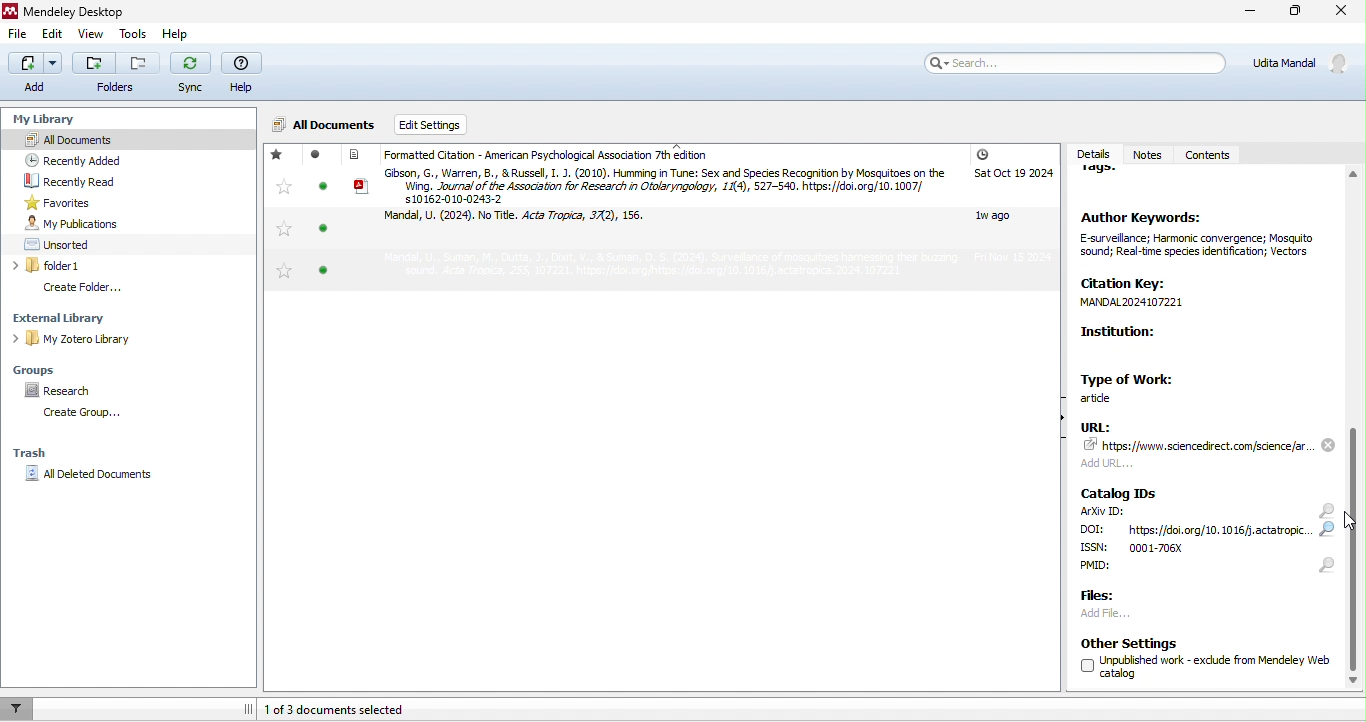 The width and height of the screenshot is (1366, 722). Describe the element at coordinates (74, 243) in the screenshot. I see `unsorted` at that location.